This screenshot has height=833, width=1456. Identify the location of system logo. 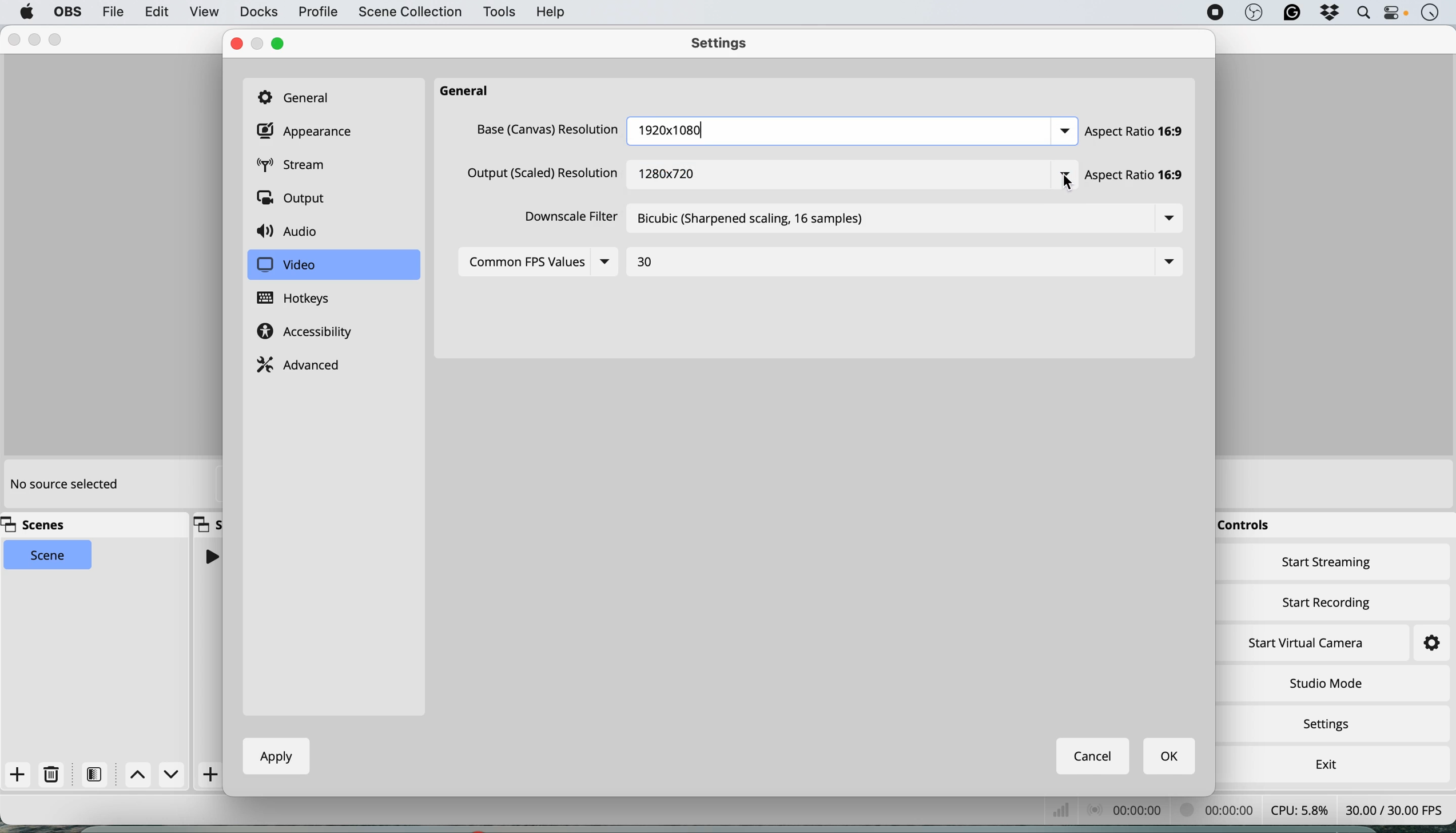
(27, 12).